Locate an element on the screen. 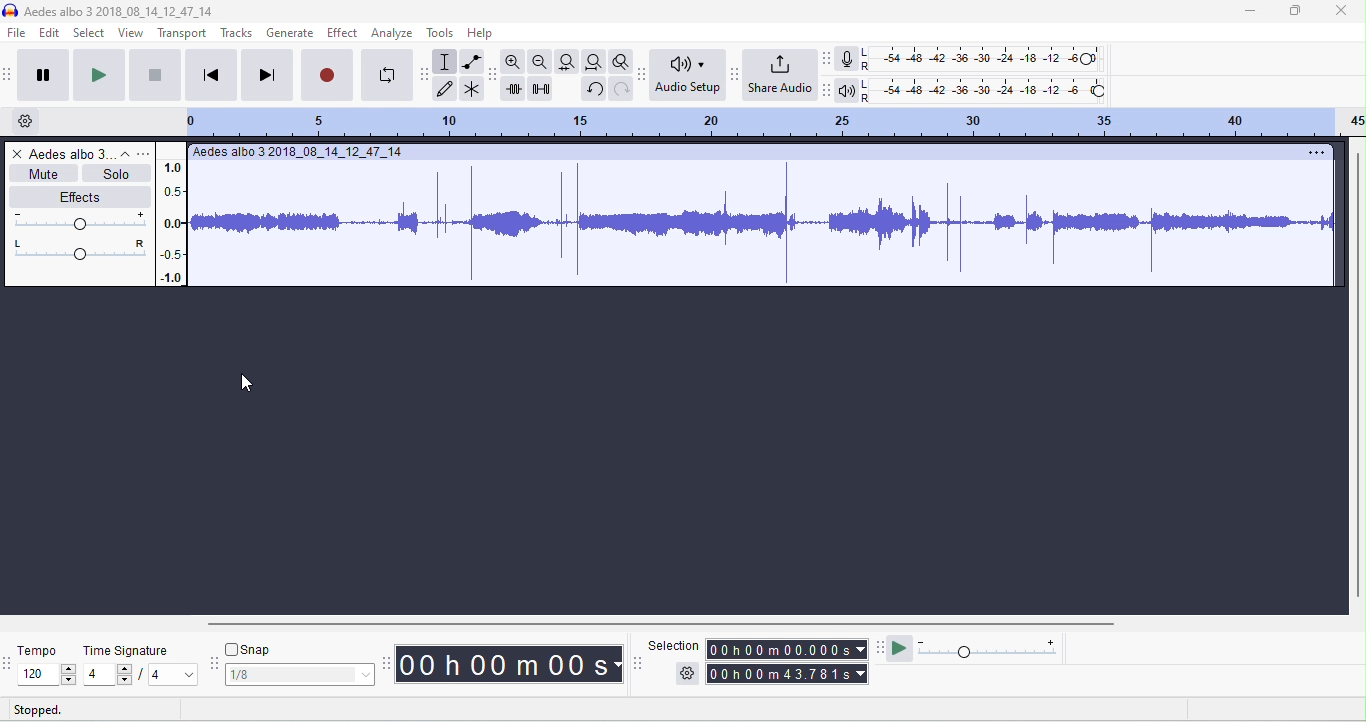  select snapping is located at coordinates (299, 673).